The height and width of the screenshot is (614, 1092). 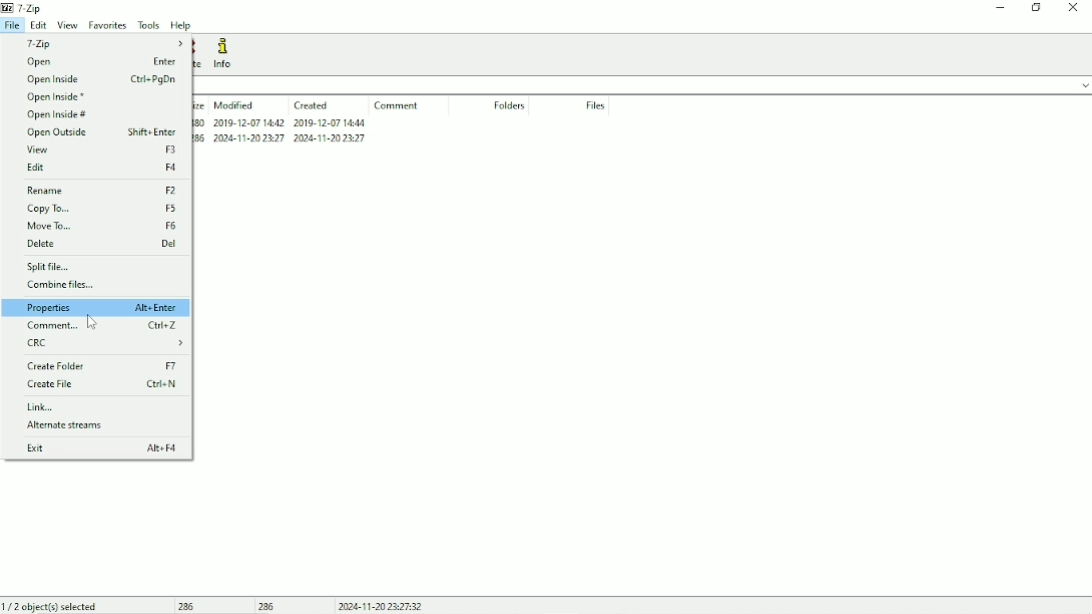 What do you see at coordinates (250, 138) in the screenshot?
I see `modified date & time` at bounding box center [250, 138].